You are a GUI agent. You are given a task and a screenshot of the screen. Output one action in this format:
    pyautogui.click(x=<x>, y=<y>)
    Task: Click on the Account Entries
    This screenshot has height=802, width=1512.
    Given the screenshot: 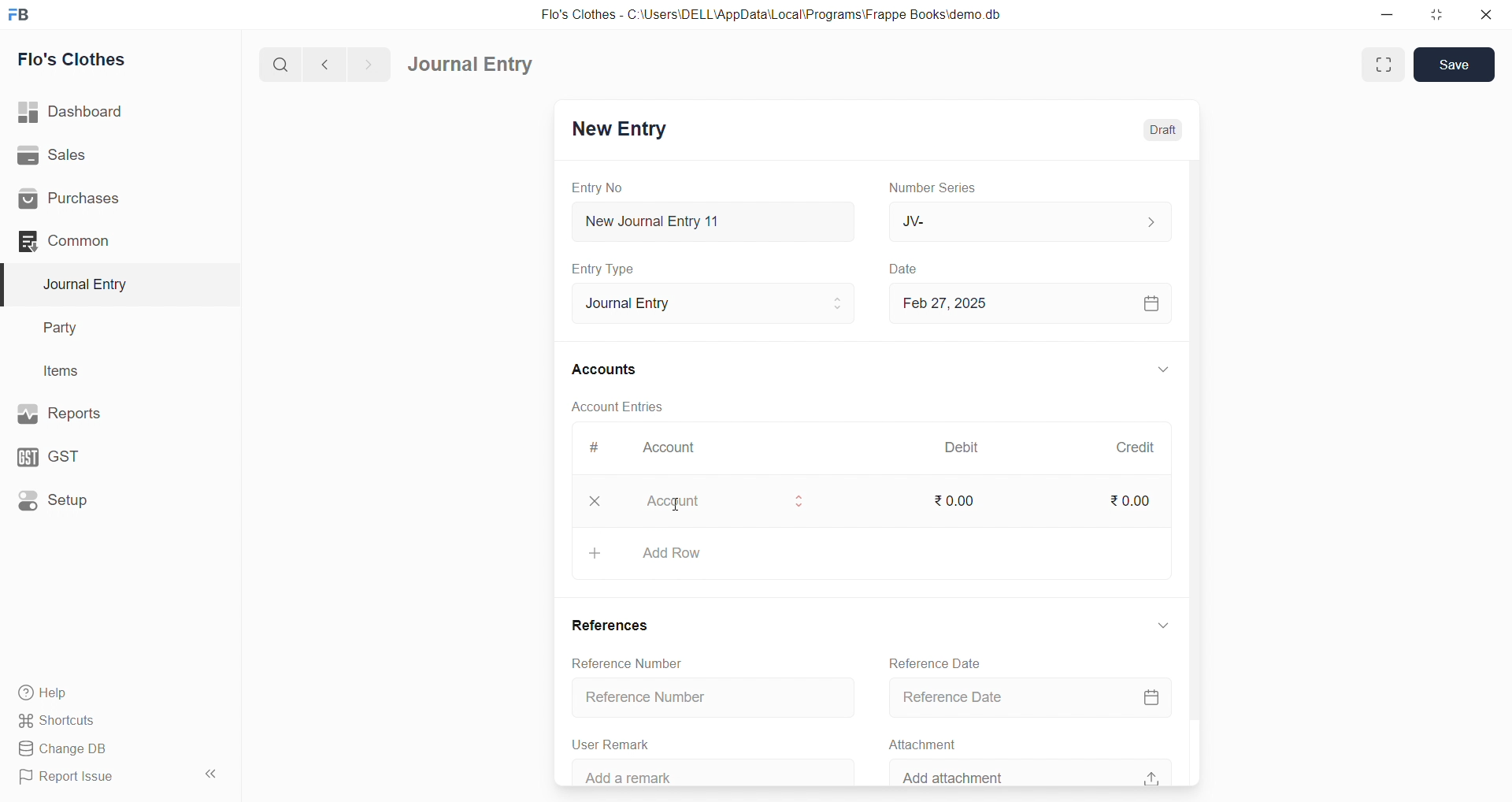 What is the action you would take?
    pyautogui.click(x=619, y=405)
    